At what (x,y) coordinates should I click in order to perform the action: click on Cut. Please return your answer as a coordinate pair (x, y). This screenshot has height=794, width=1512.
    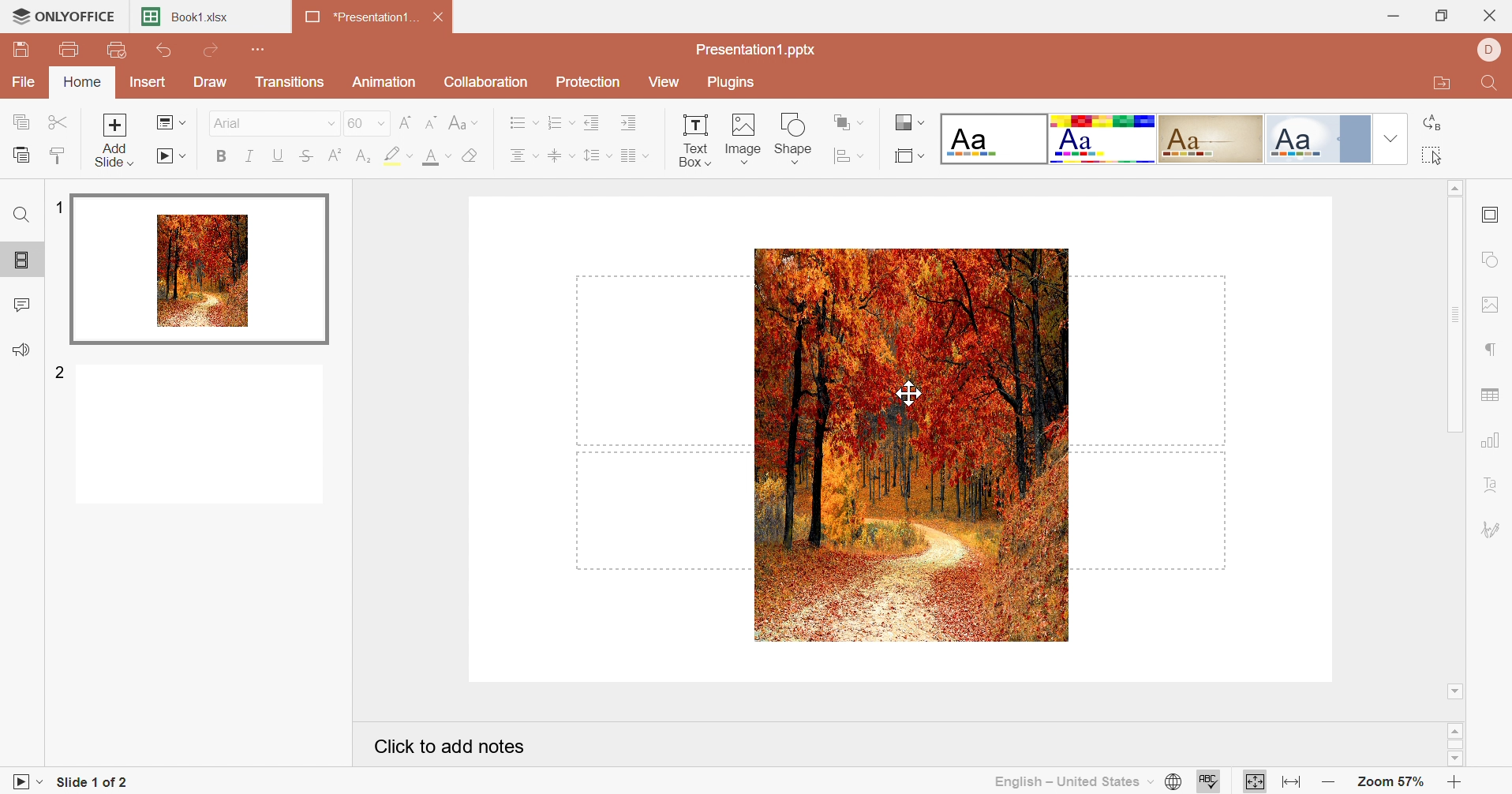
    Looking at the image, I should click on (58, 122).